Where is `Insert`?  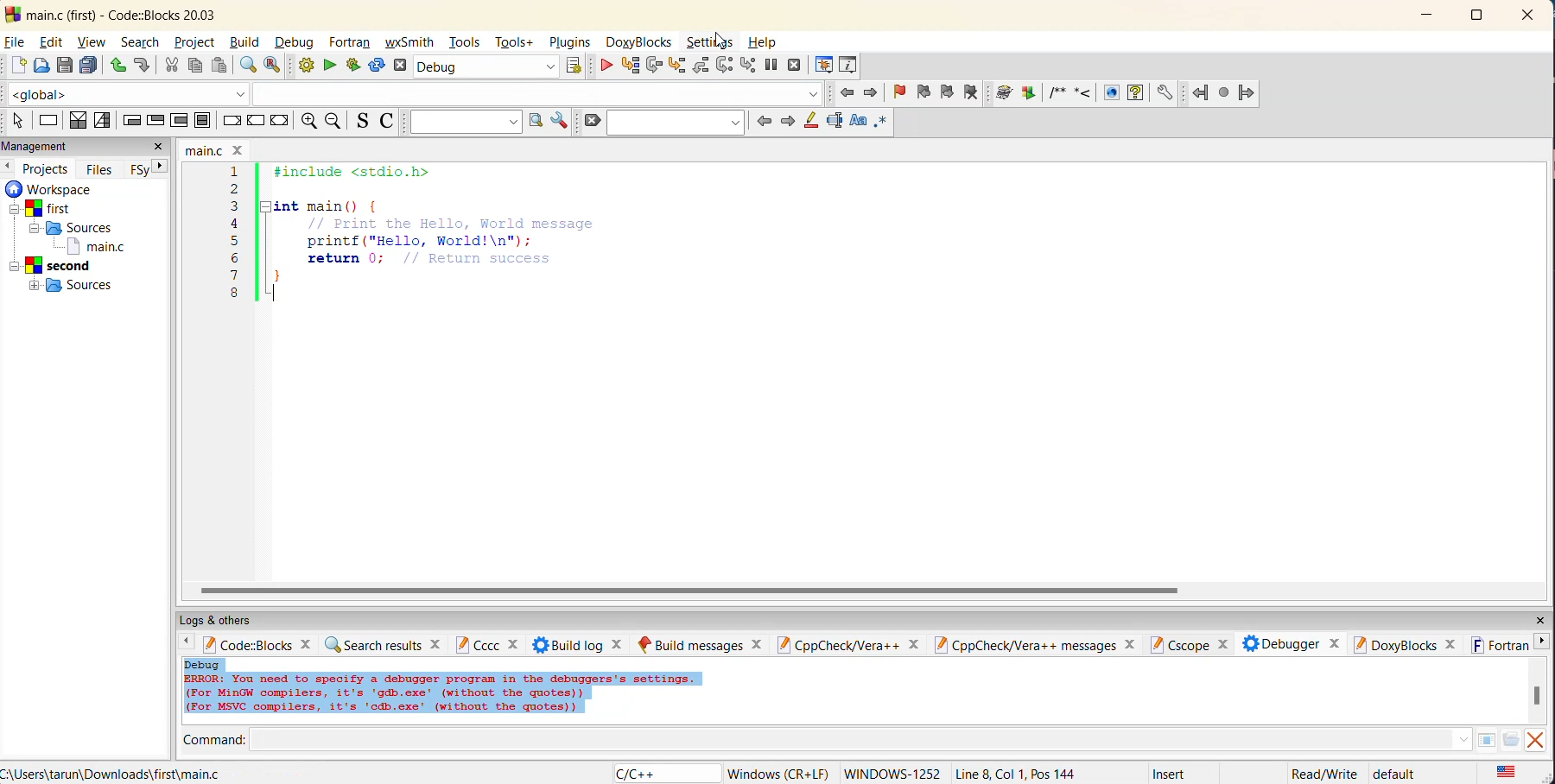 Insert is located at coordinates (1171, 772).